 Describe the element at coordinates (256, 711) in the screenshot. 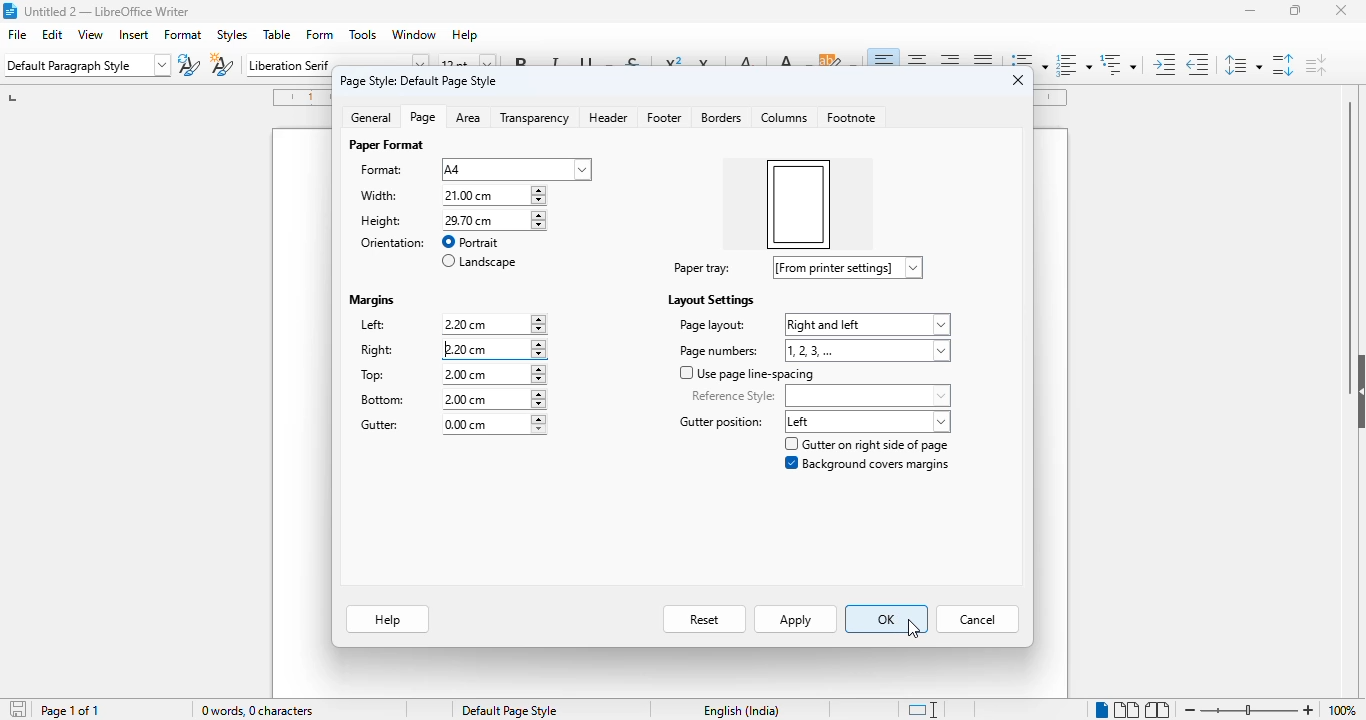

I see `0 words, 0 characters` at that location.